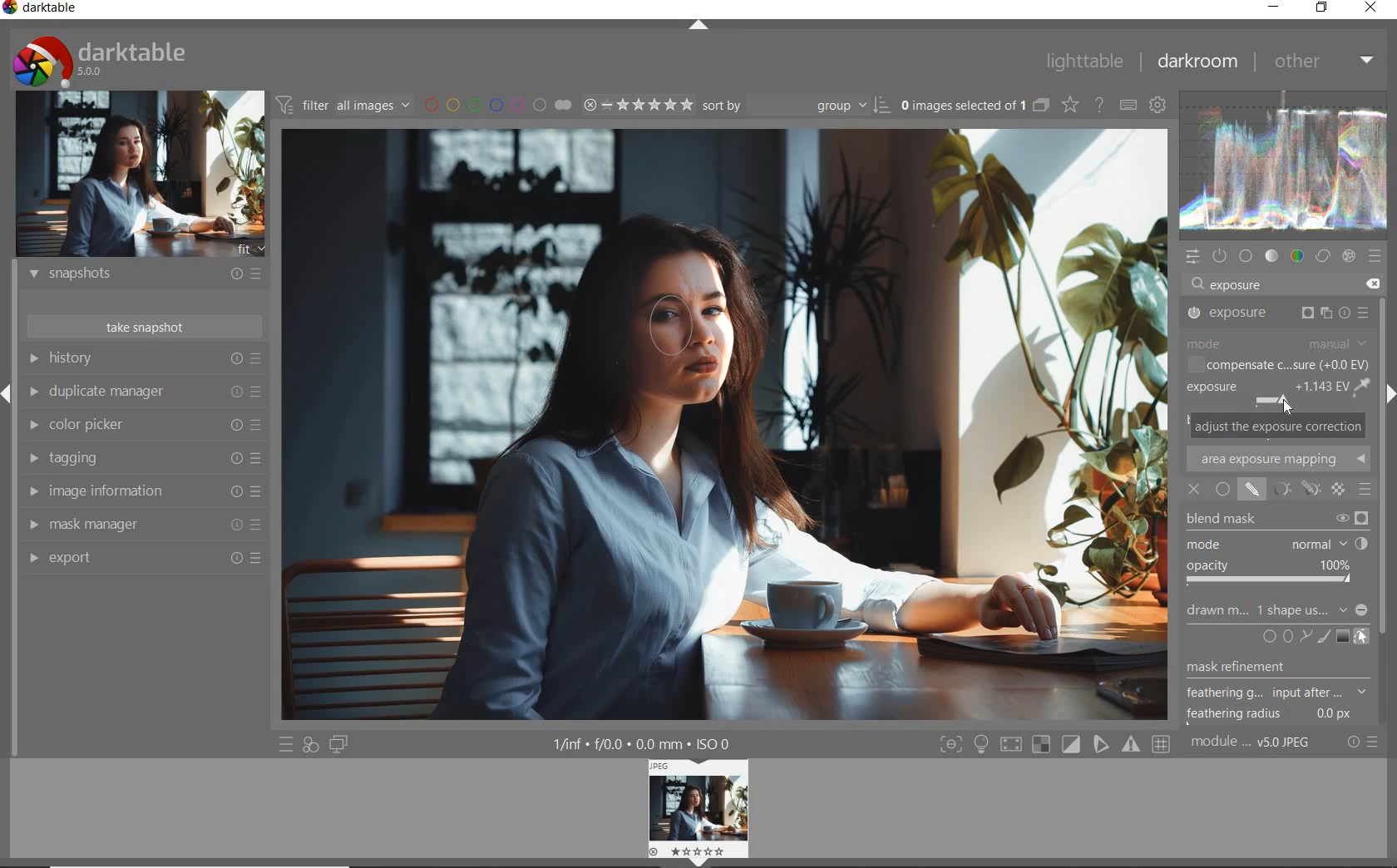 Image resolution: width=1397 pixels, height=868 pixels. Describe the element at coordinates (698, 24) in the screenshot. I see `expand/collapse` at that location.